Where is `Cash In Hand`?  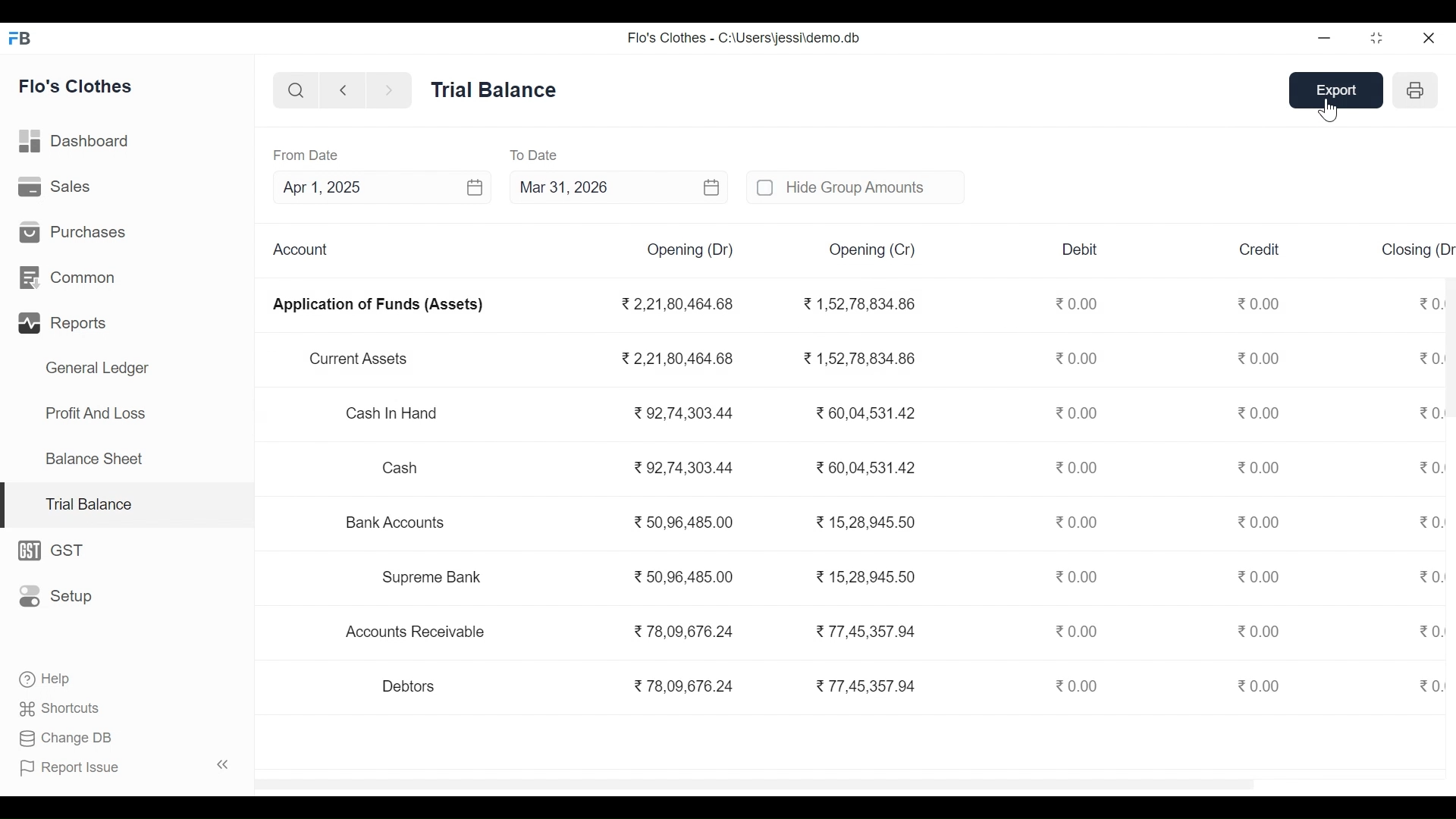
Cash In Hand is located at coordinates (398, 415).